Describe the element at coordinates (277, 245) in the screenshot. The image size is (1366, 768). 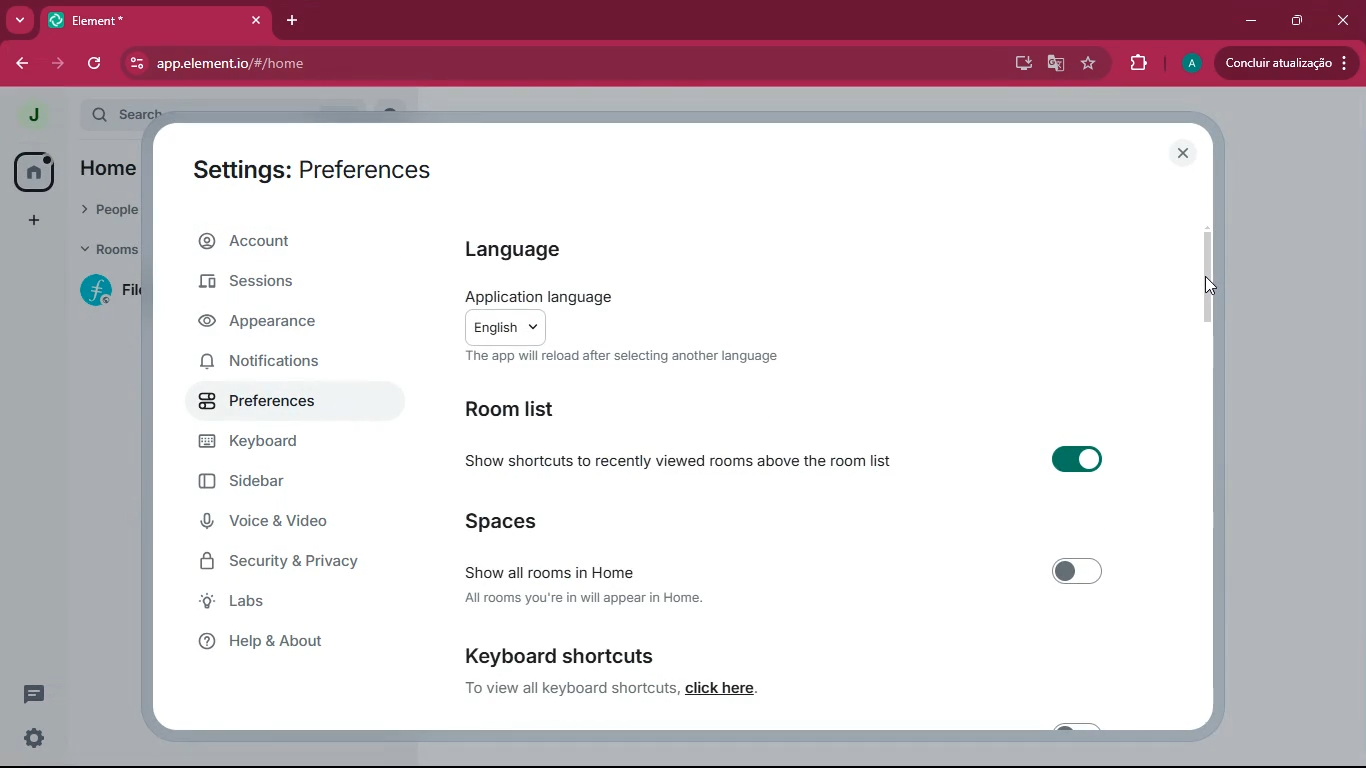
I see `account` at that location.